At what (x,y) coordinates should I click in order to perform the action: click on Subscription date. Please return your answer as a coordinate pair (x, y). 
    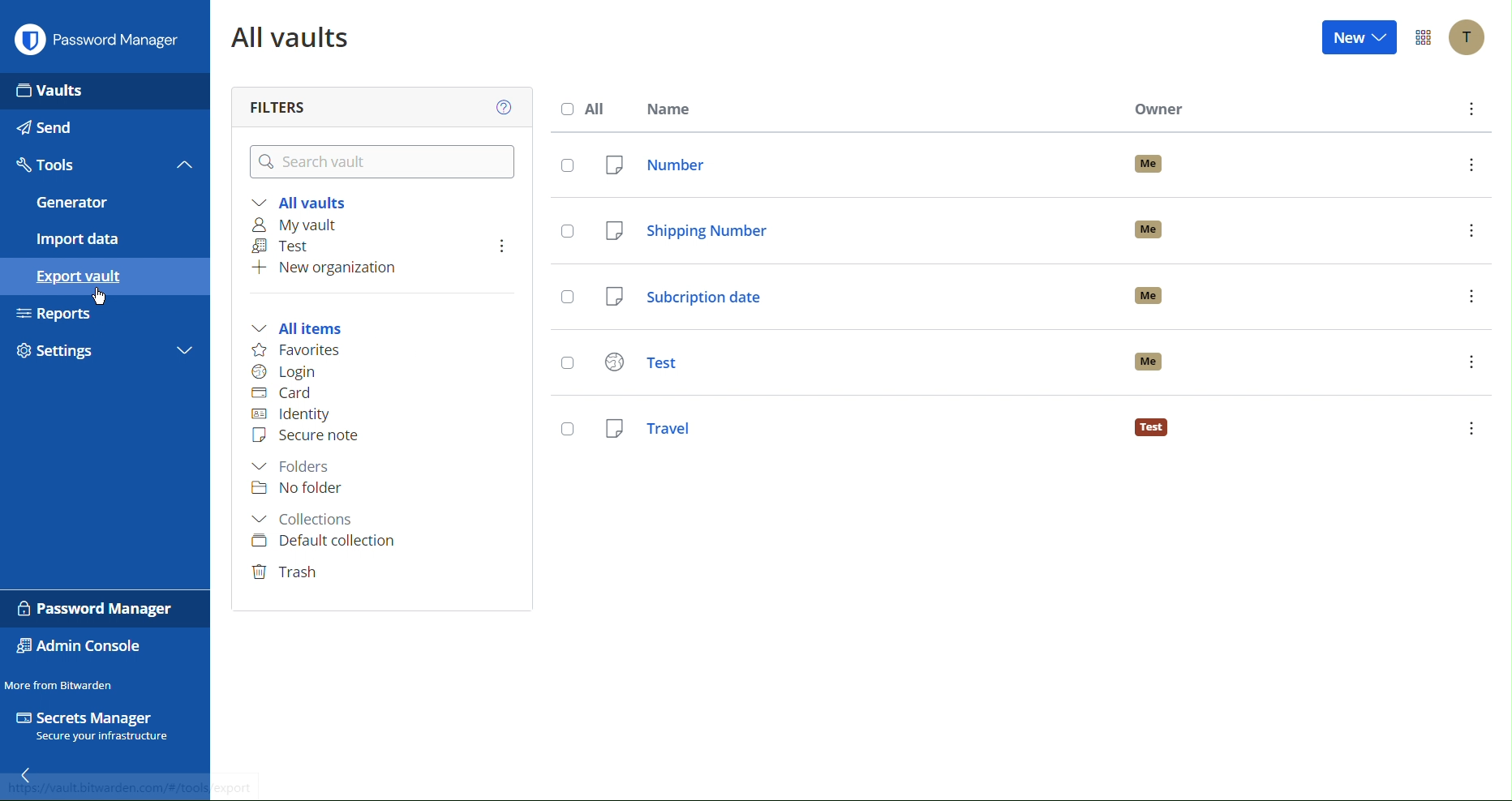
    Looking at the image, I should click on (881, 296).